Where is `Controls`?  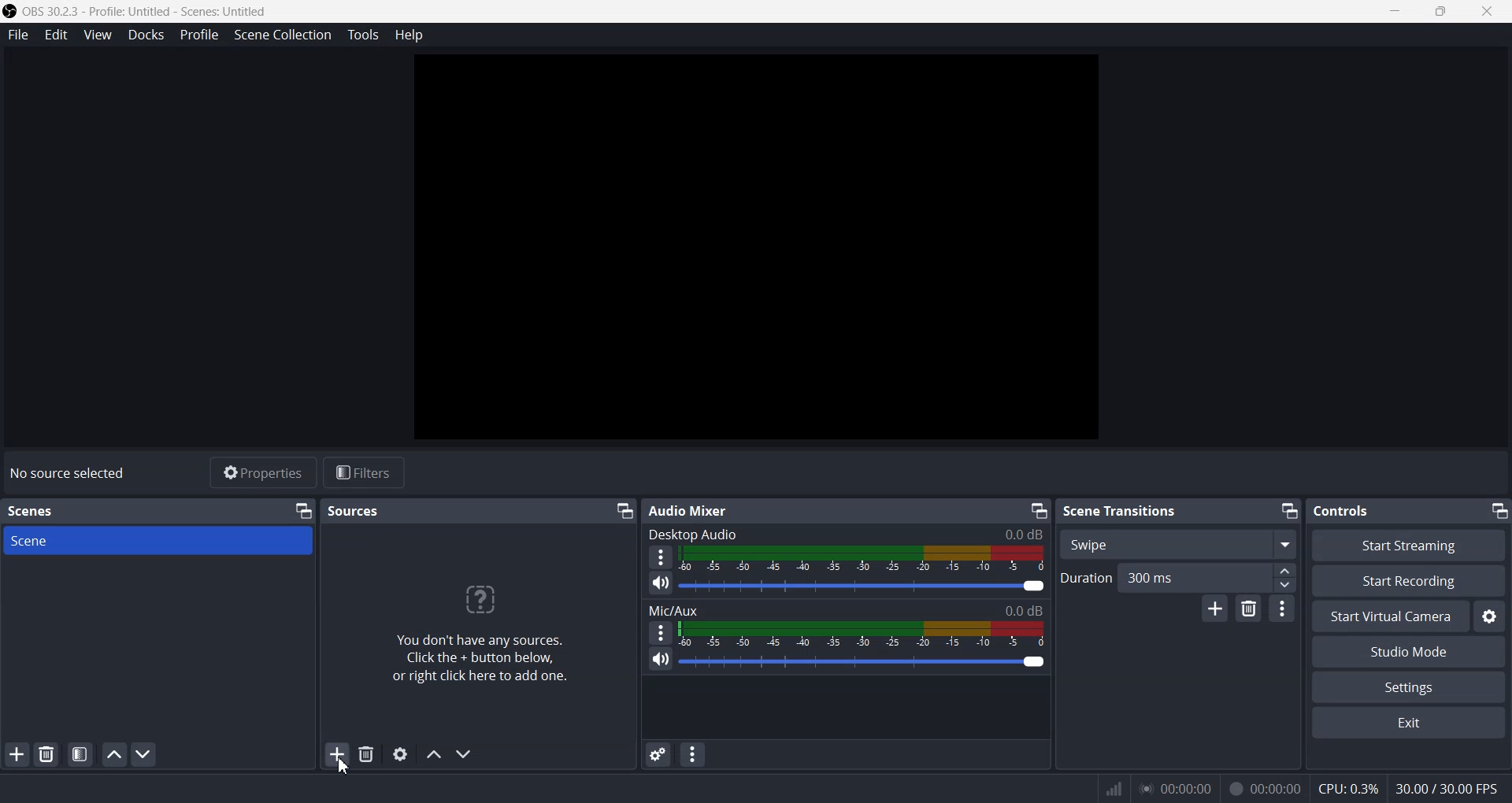 Controls is located at coordinates (1348, 510).